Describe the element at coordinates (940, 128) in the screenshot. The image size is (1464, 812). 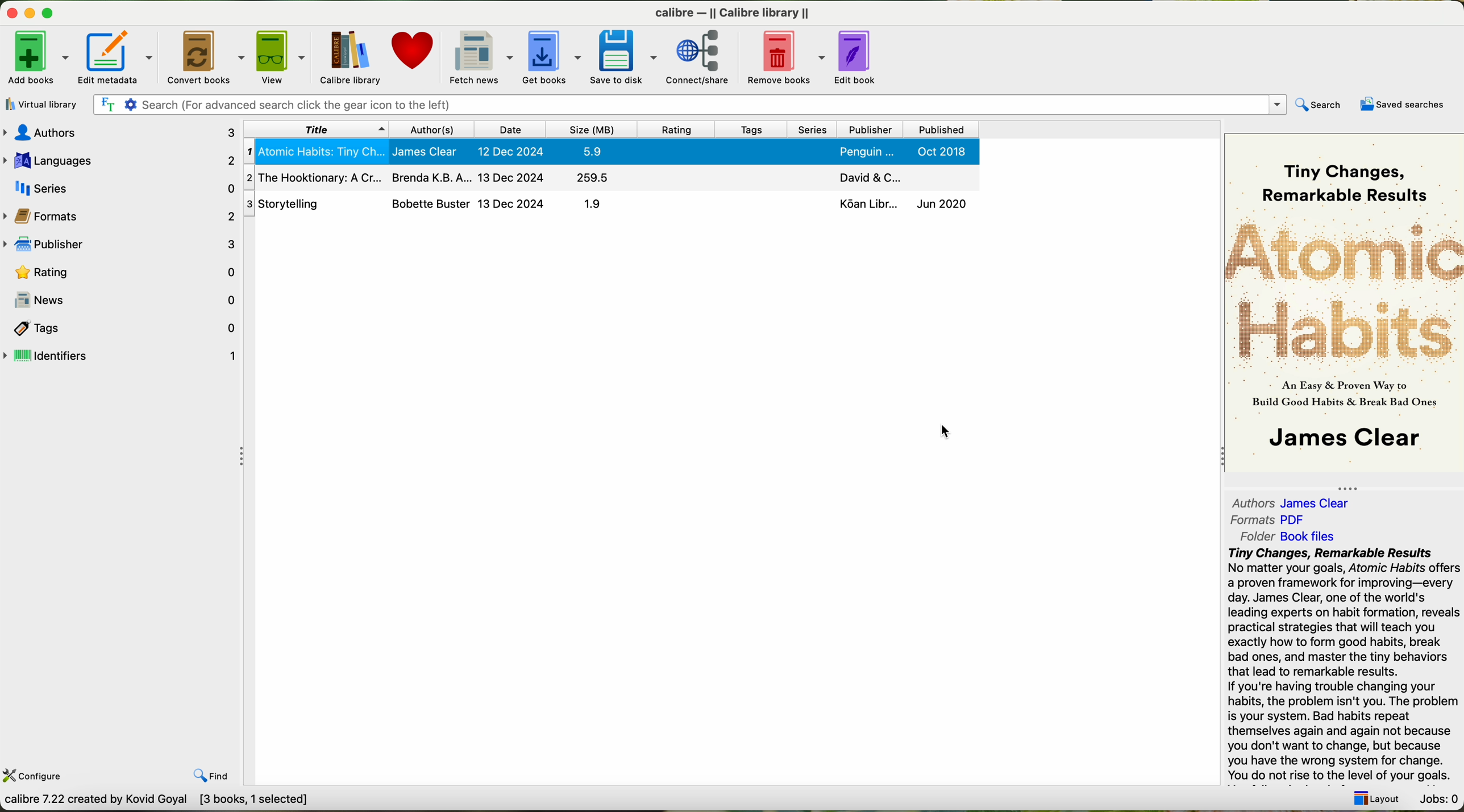
I see `published` at that location.